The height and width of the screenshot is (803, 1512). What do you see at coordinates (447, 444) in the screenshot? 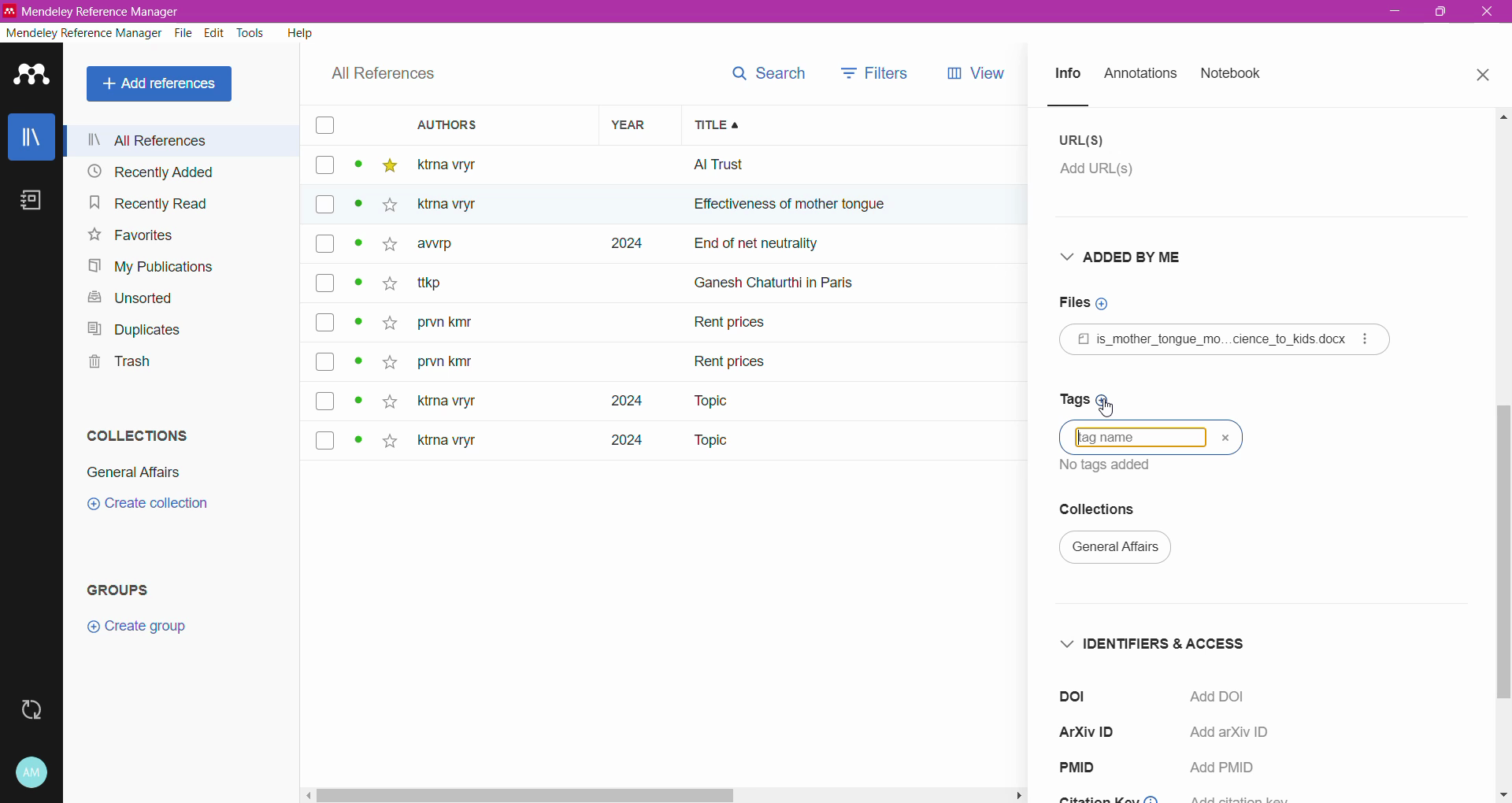
I see `ktma vryr` at bounding box center [447, 444].